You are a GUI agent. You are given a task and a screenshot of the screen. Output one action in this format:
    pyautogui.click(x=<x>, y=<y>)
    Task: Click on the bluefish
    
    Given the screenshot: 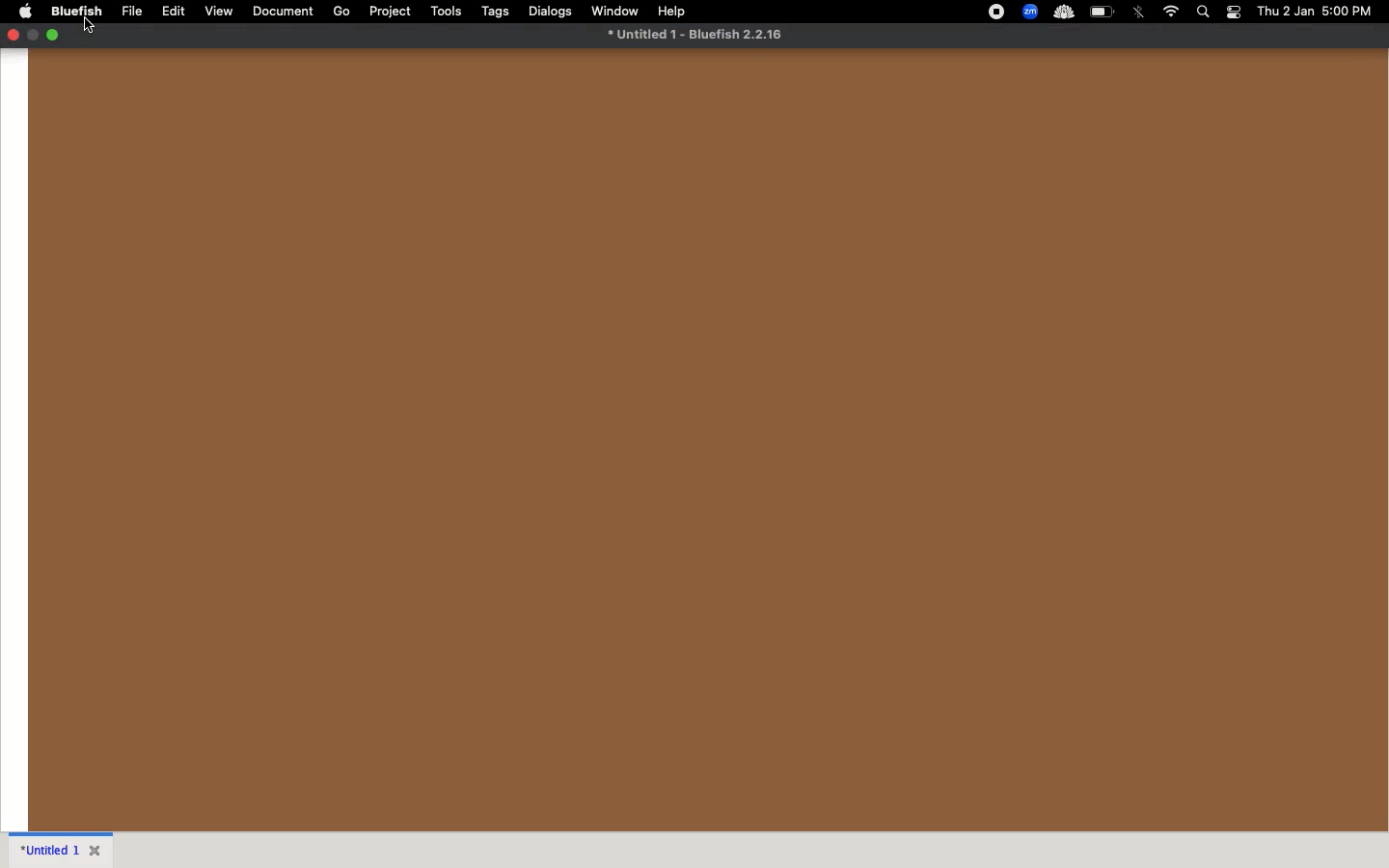 What is the action you would take?
    pyautogui.click(x=73, y=12)
    